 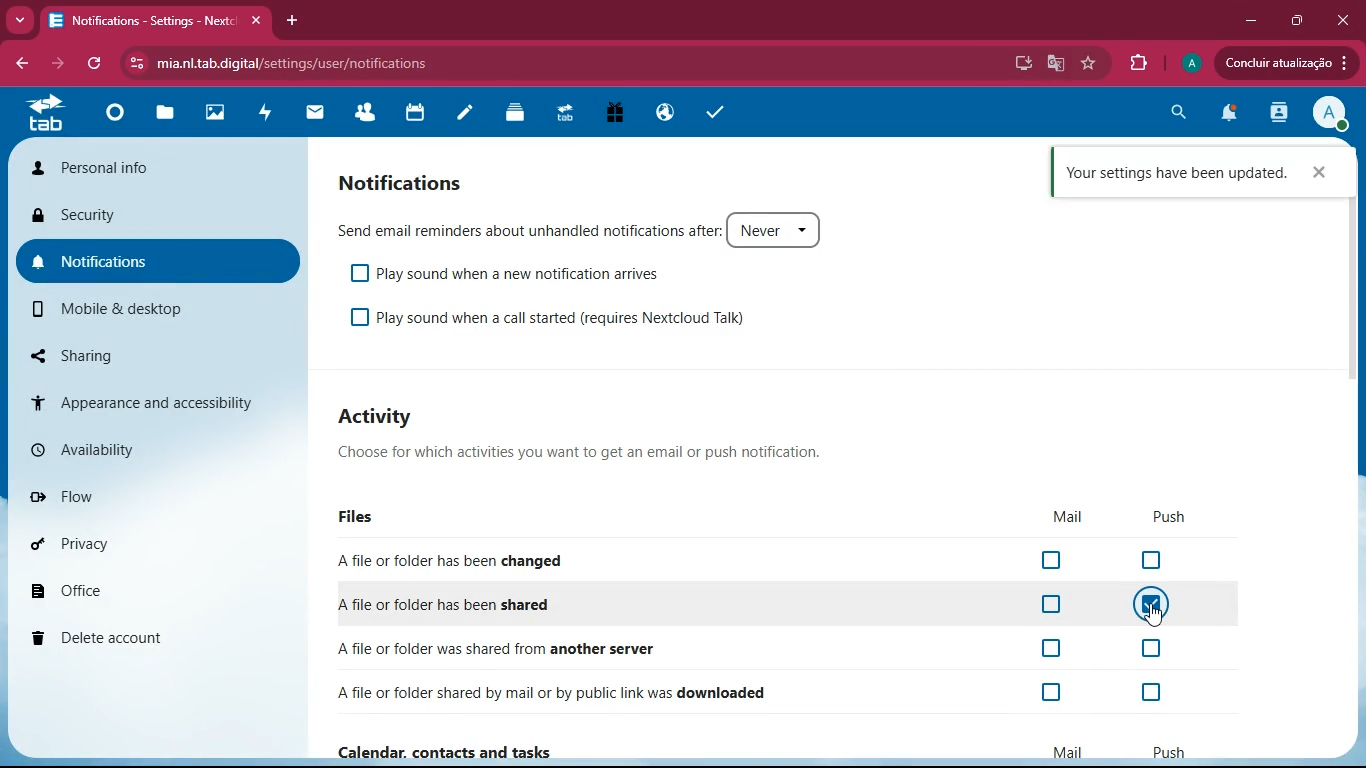 What do you see at coordinates (1168, 751) in the screenshot?
I see `push` at bounding box center [1168, 751].